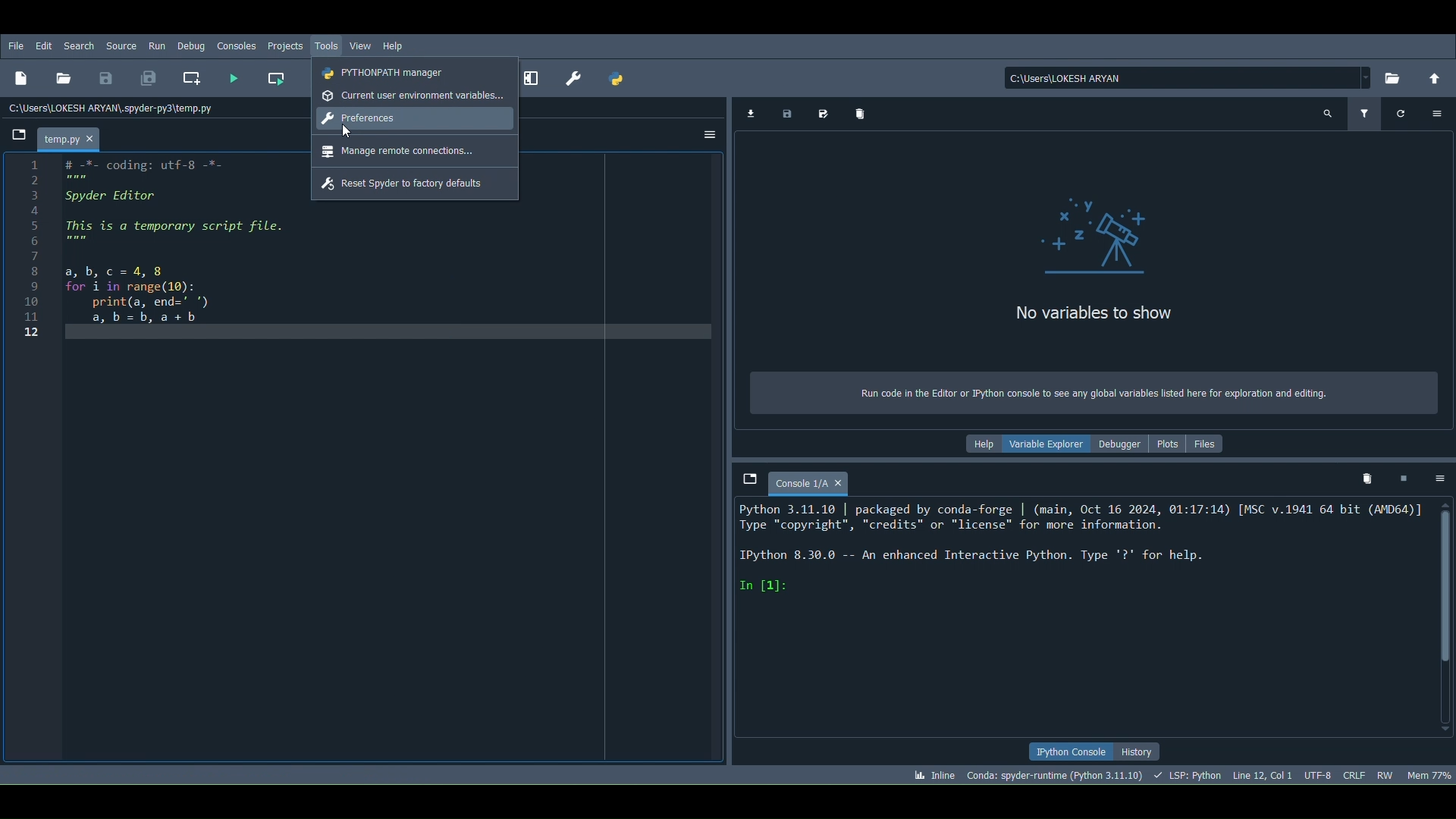 Image resolution: width=1456 pixels, height=819 pixels. What do you see at coordinates (406, 180) in the screenshot?
I see `Reset Spyder to factory defaults` at bounding box center [406, 180].